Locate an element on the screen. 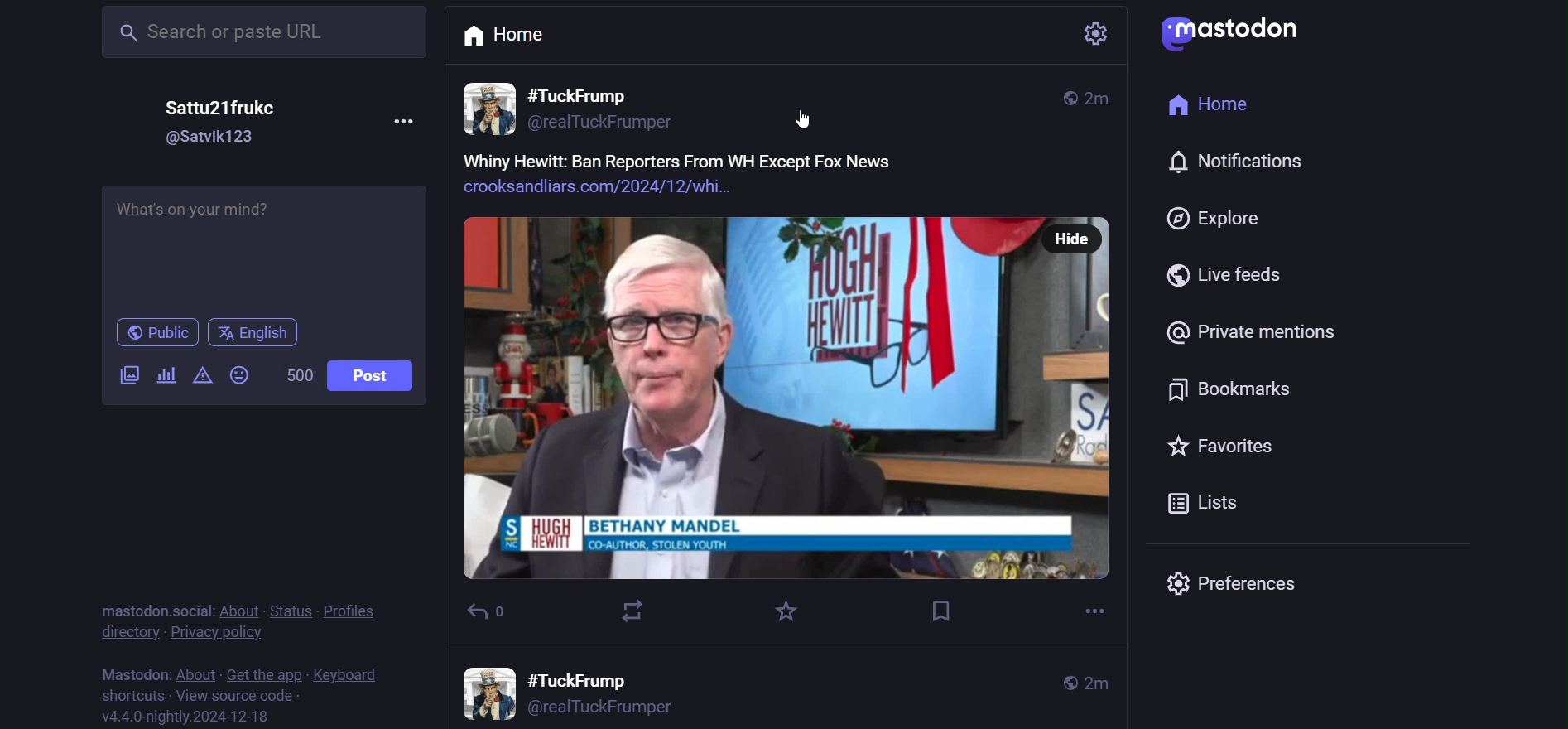 The image size is (1568, 729). privacy policy is located at coordinates (214, 634).